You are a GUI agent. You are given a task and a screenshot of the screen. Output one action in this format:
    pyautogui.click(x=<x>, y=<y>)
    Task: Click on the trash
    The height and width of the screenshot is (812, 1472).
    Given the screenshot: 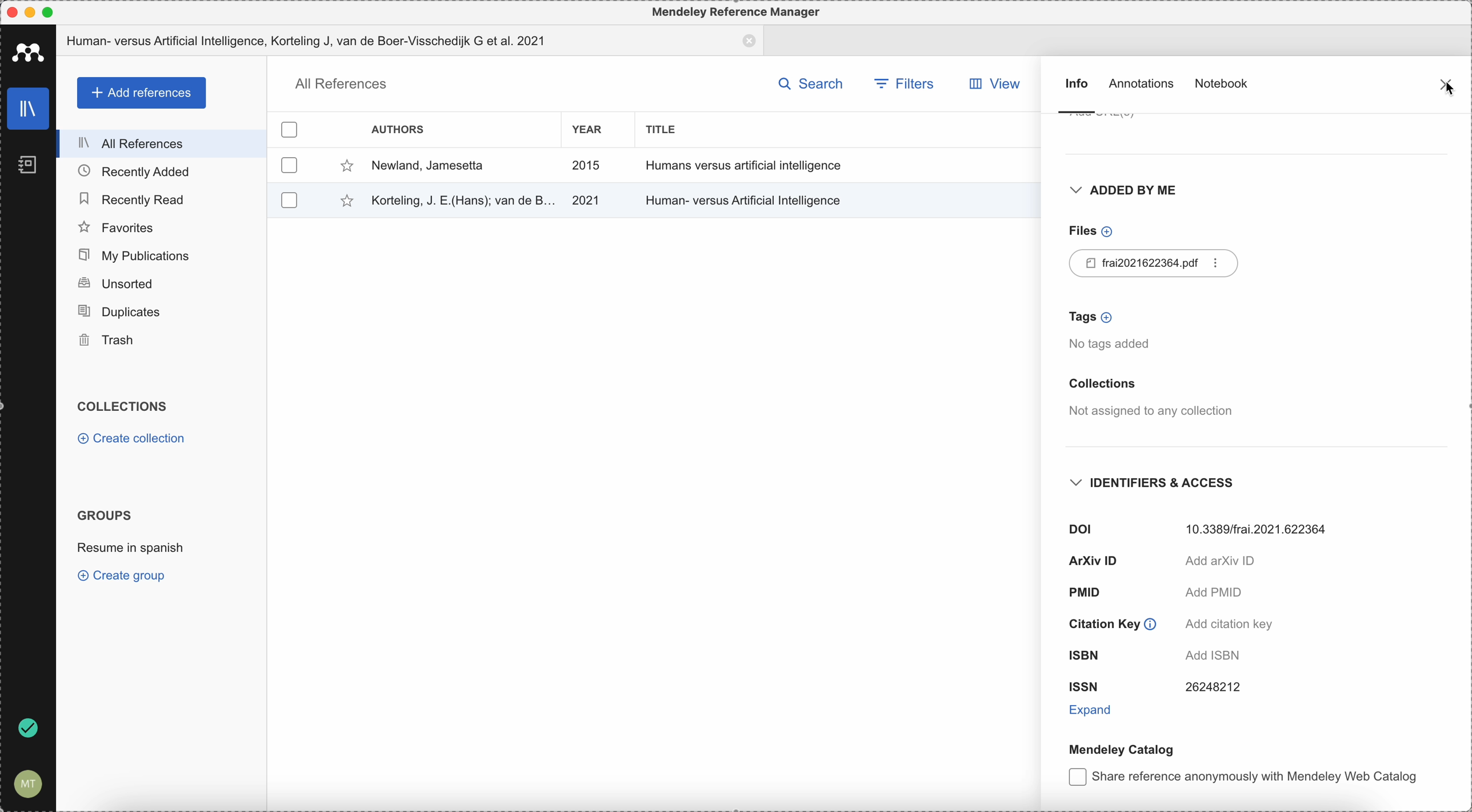 What is the action you would take?
    pyautogui.click(x=161, y=341)
    